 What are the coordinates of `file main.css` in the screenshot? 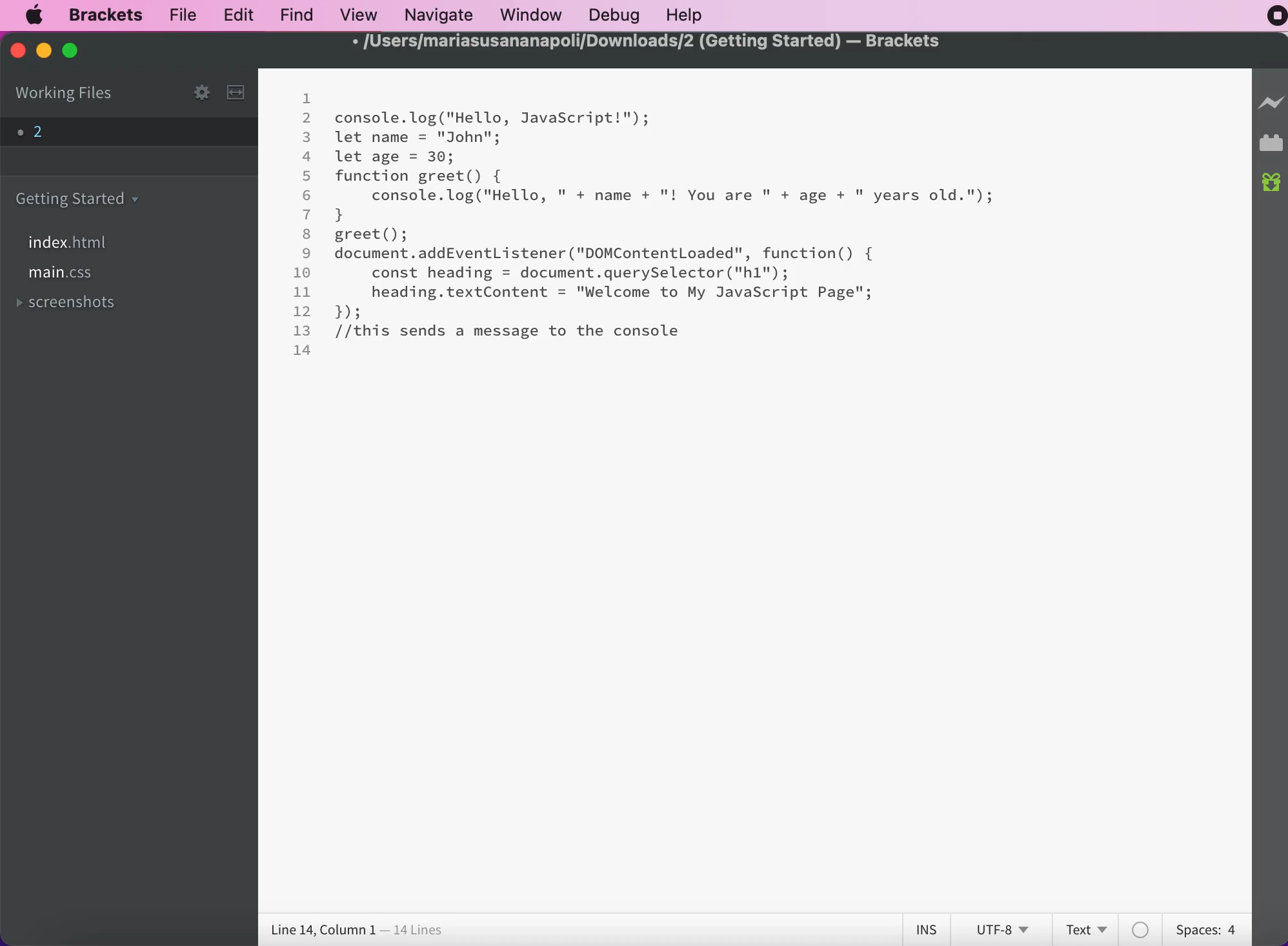 It's located at (68, 276).